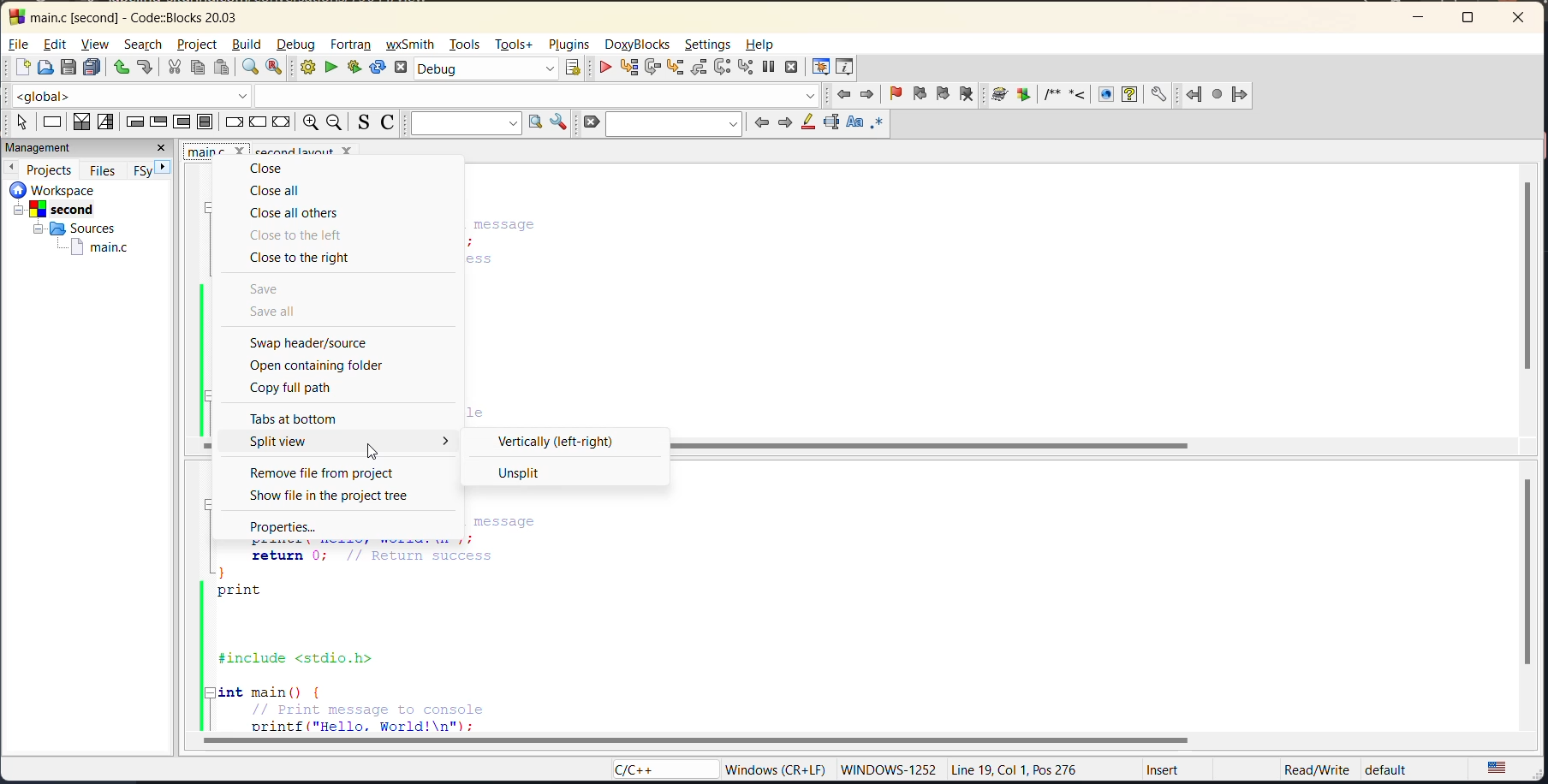 This screenshot has width=1548, height=784. Describe the element at coordinates (1473, 20) in the screenshot. I see `maximize` at that location.